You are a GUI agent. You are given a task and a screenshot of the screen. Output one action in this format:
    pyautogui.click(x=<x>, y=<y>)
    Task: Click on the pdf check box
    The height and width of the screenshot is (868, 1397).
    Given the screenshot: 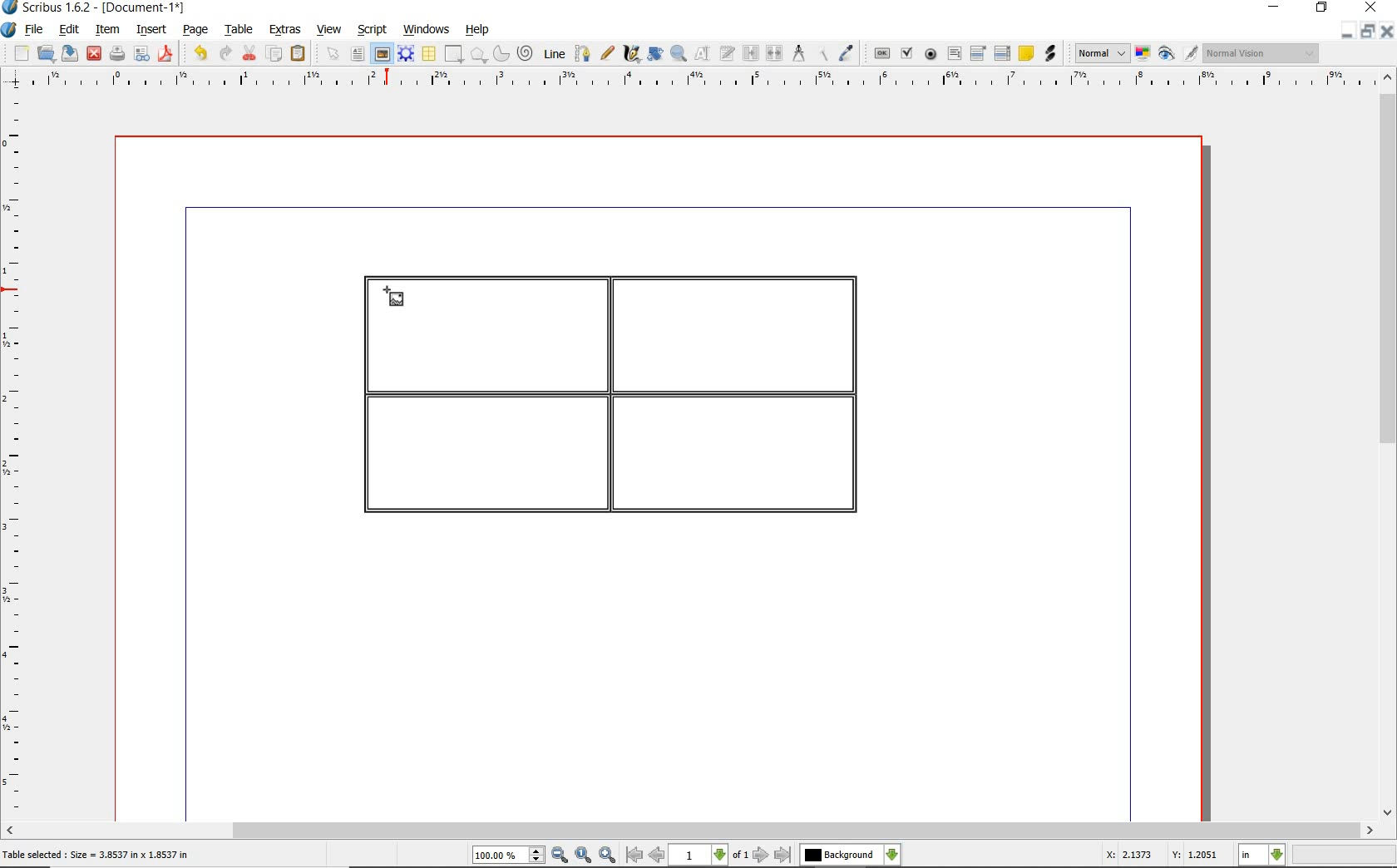 What is the action you would take?
    pyautogui.click(x=909, y=55)
    